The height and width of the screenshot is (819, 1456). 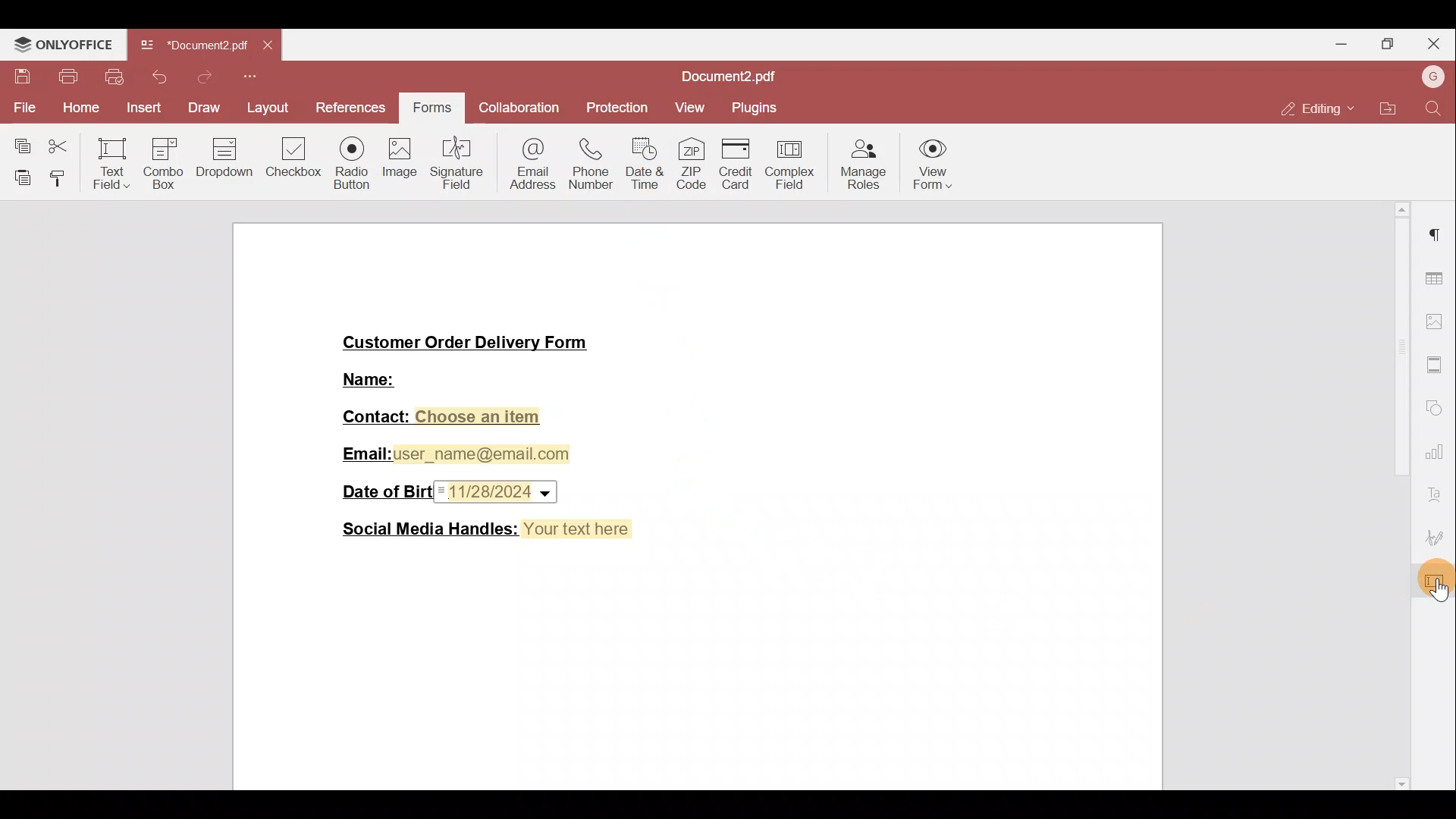 I want to click on Signature settings, so click(x=1438, y=538).